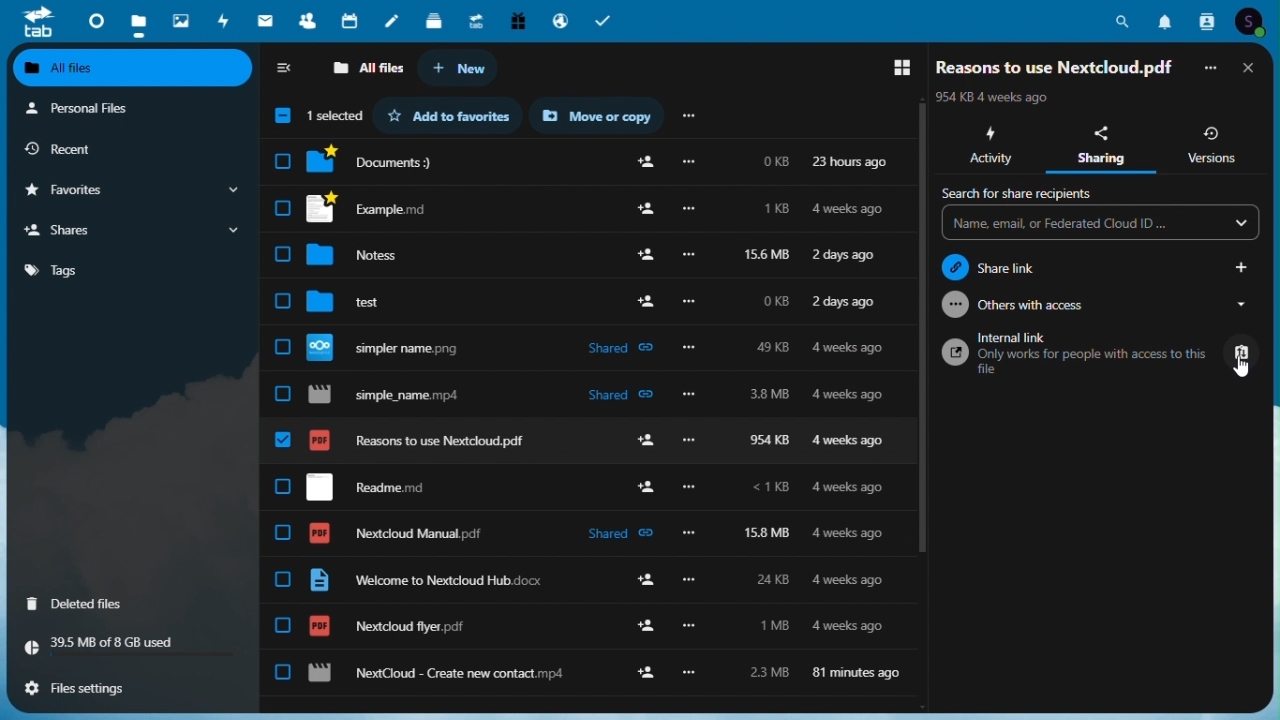 The image size is (1280, 720). What do you see at coordinates (645, 580) in the screenshot?
I see ` add user` at bounding box center [645, 580].